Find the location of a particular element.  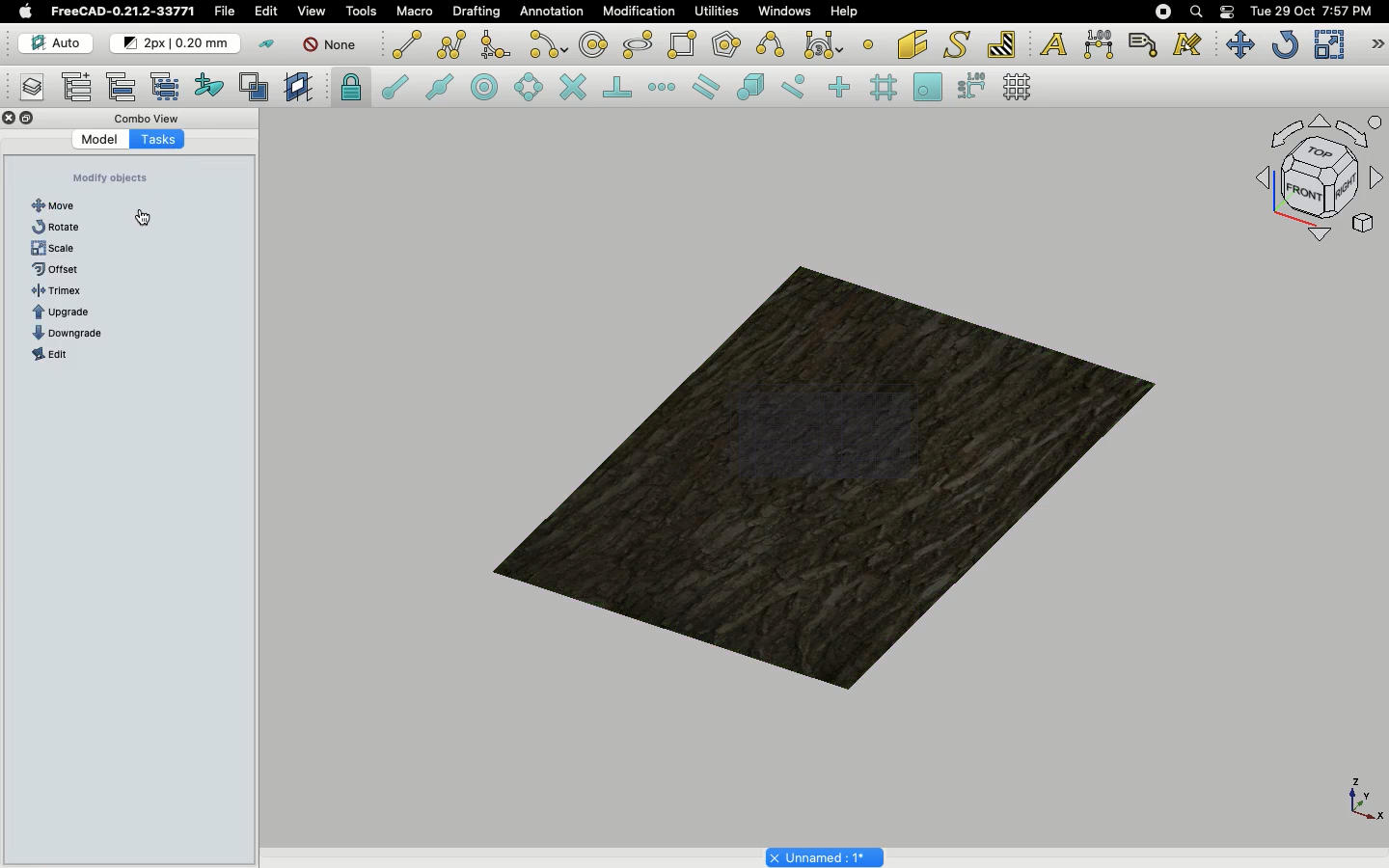

Navigation styles is located at coordinates (1318, 181).